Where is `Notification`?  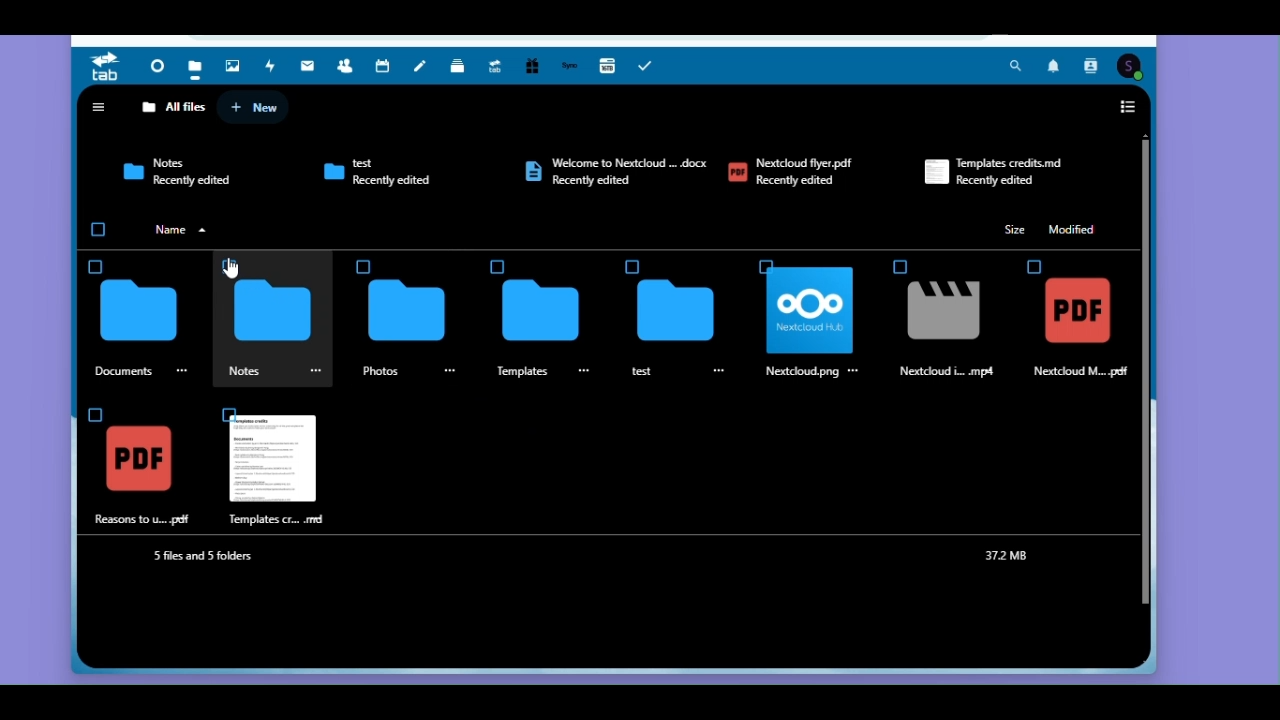 Notification is located at coordinates (1052, 68).